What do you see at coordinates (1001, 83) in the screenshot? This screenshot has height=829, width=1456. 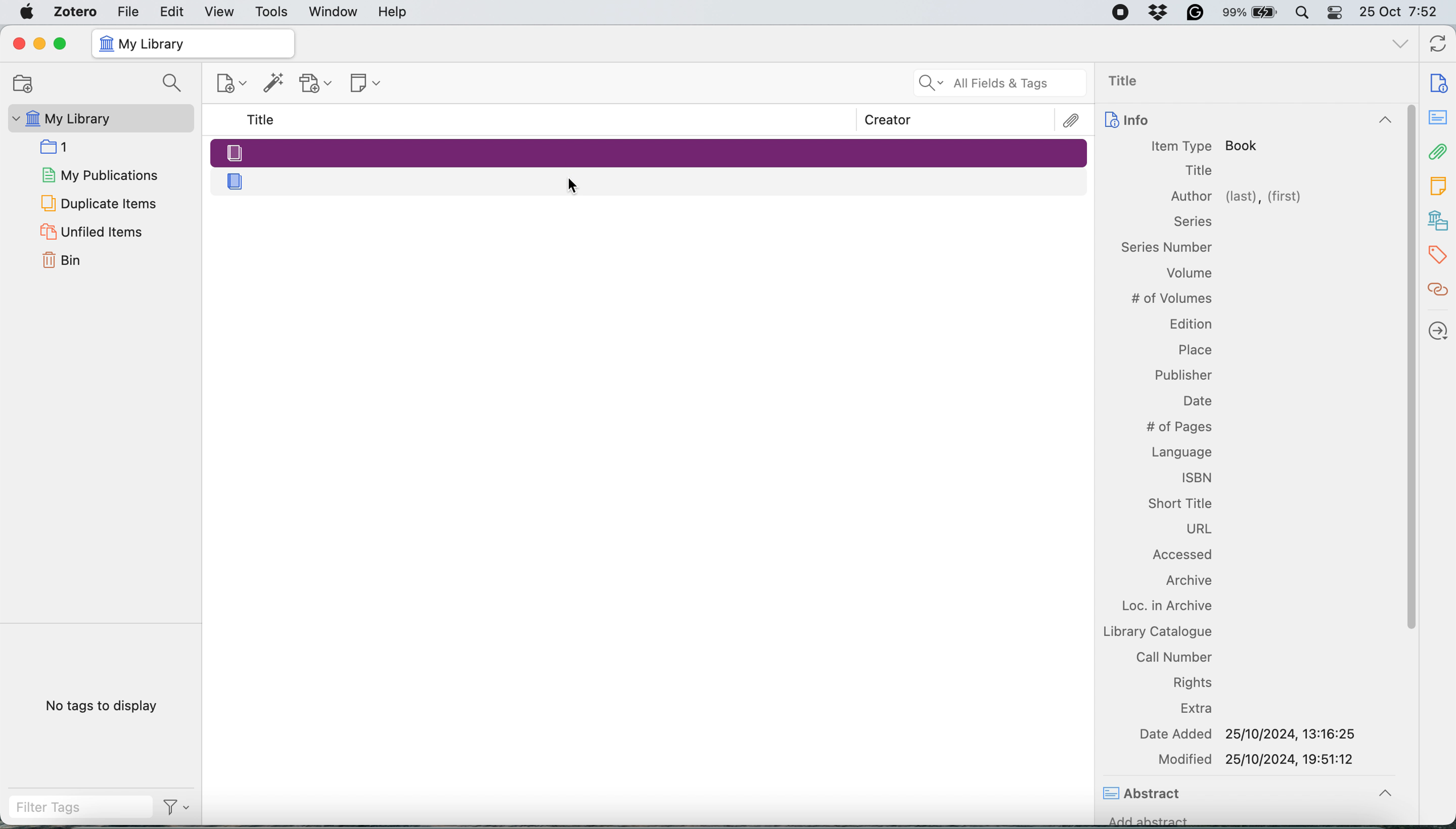 I see `All Fields & Tags` at bounding box center [1001, 83].